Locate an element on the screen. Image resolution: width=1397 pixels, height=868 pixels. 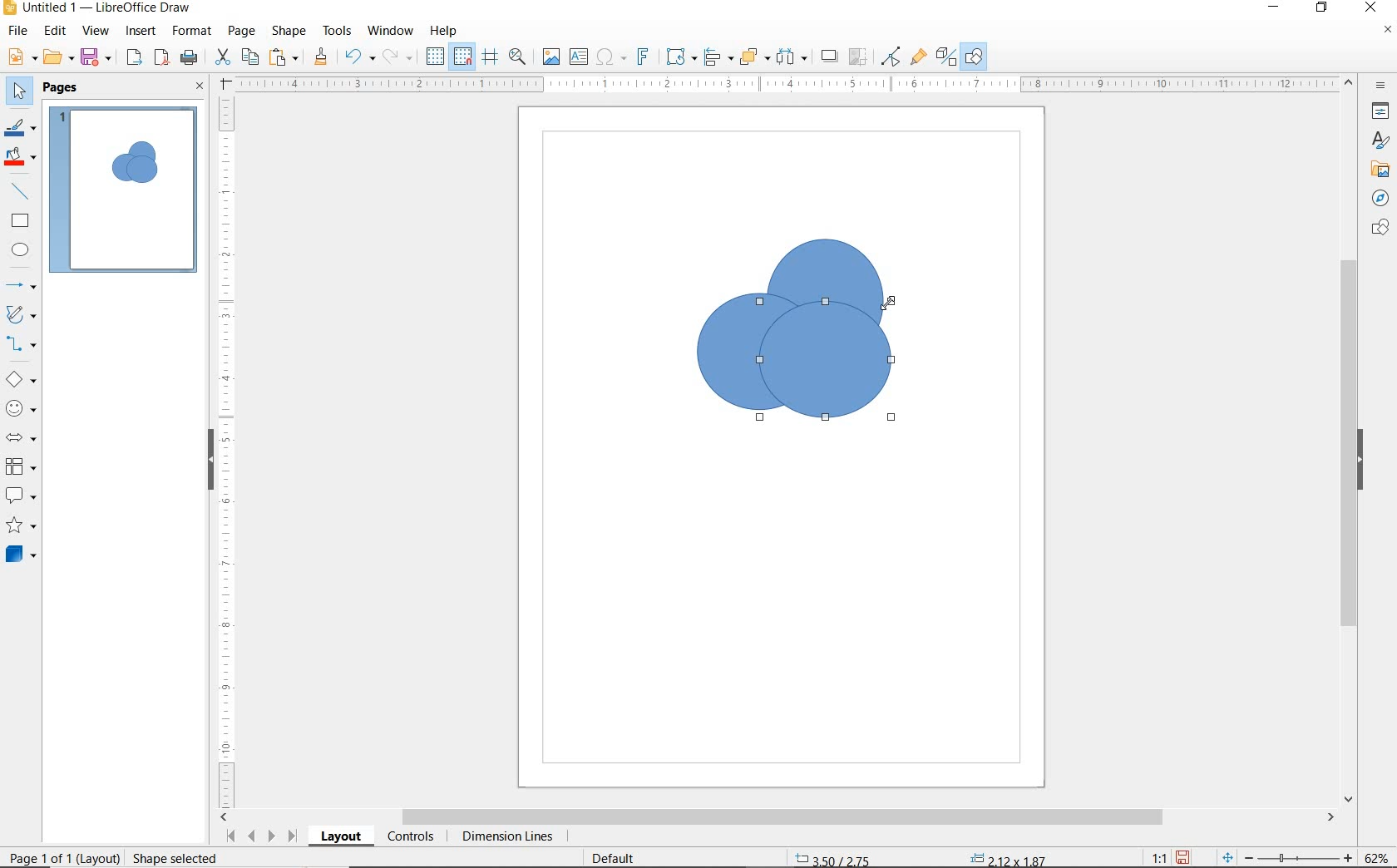
ARRANGE is located at coordinates (754, 57).